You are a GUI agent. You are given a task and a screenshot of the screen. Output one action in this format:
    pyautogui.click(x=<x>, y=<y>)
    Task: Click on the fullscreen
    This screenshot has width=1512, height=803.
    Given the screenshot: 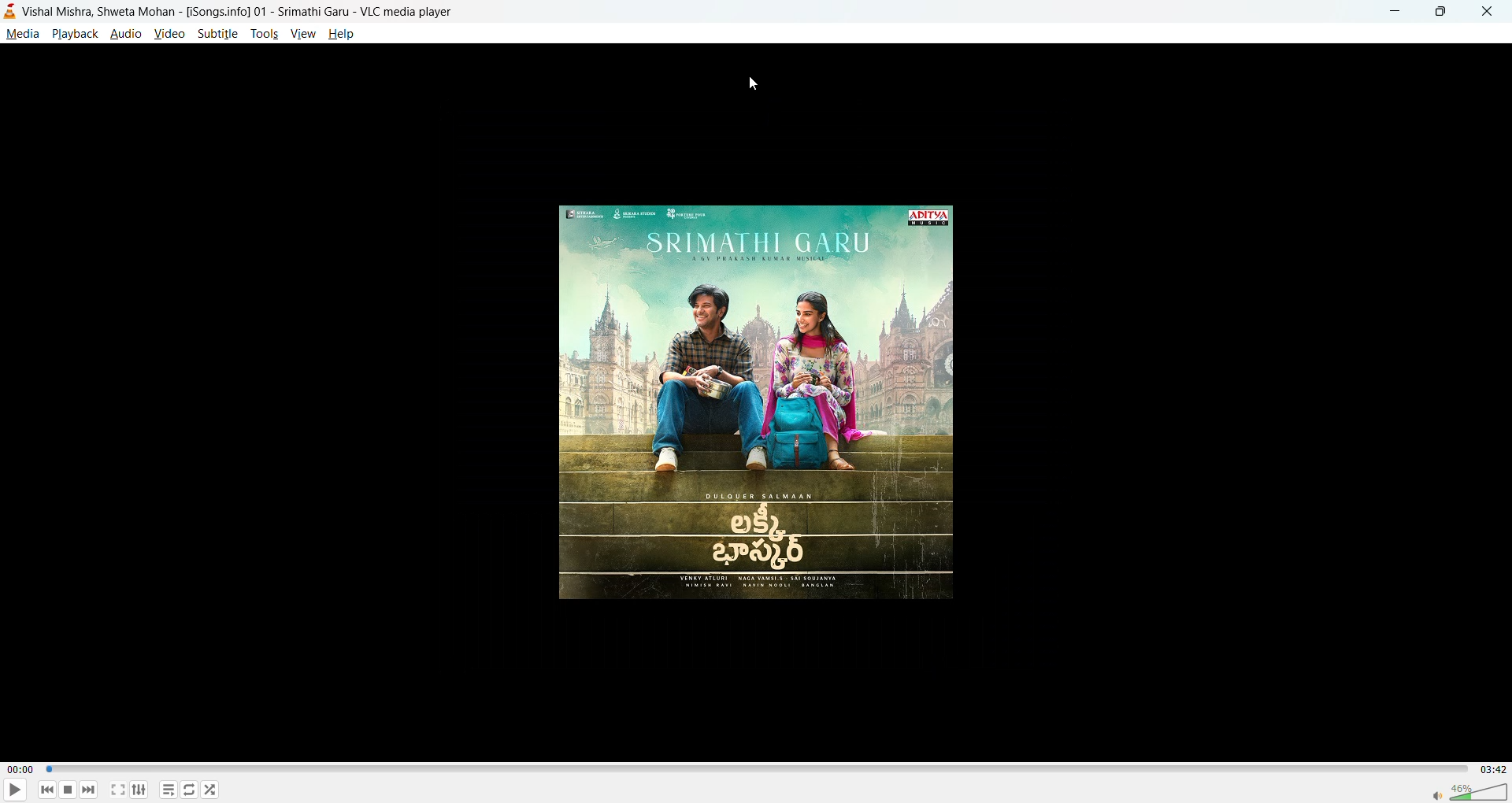 What is the action you would take?
    pyautogui.click(x=118, y=790)
    